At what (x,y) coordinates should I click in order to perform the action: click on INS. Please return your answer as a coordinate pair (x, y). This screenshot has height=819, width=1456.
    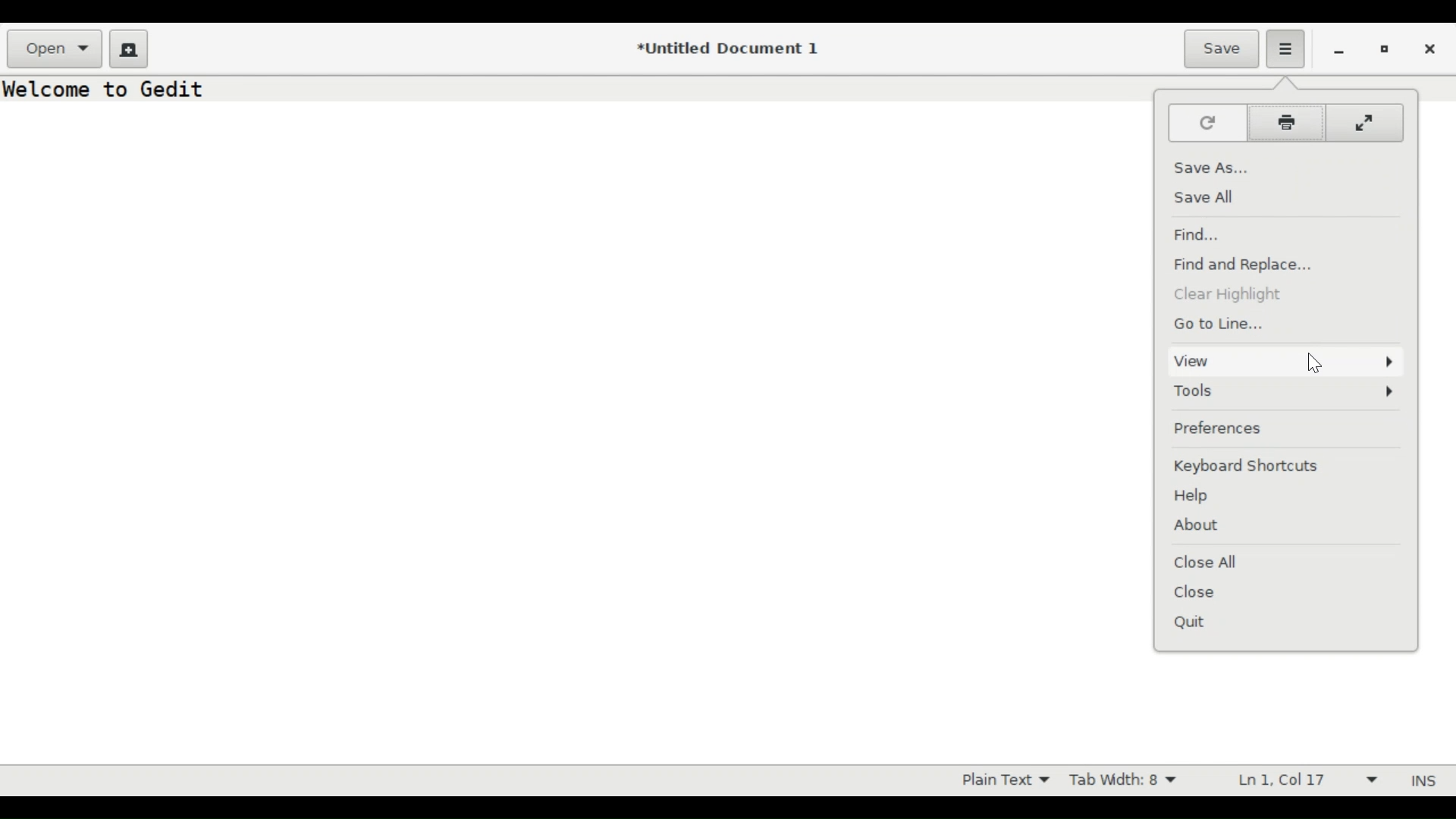
    Looking at the image, I should click on (1420, 780).